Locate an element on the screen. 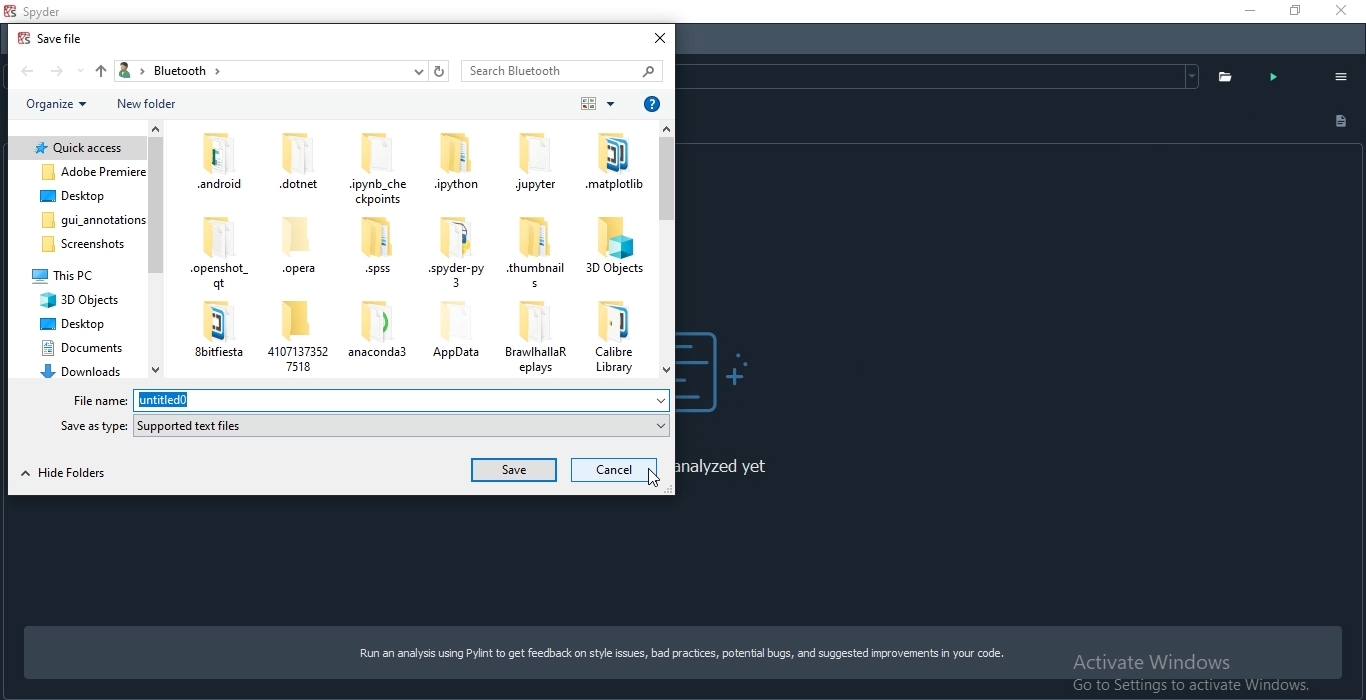 The width and height of the screenshot is (1366, 700). gui annotations is located at coordinates (77, 222).